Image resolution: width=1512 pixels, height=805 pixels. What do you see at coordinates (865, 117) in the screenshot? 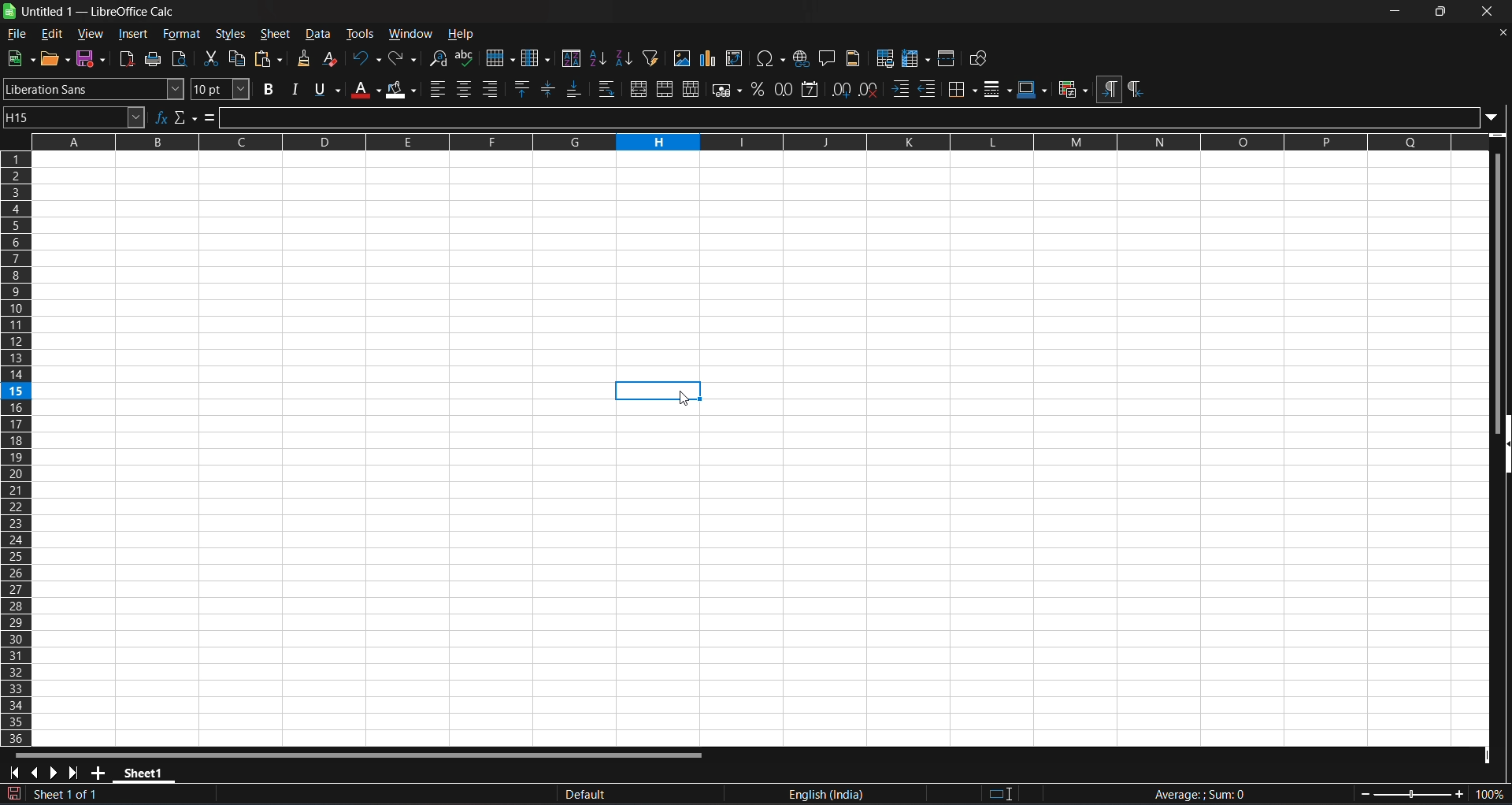
I see `input line` at bounding box center [865, 117].